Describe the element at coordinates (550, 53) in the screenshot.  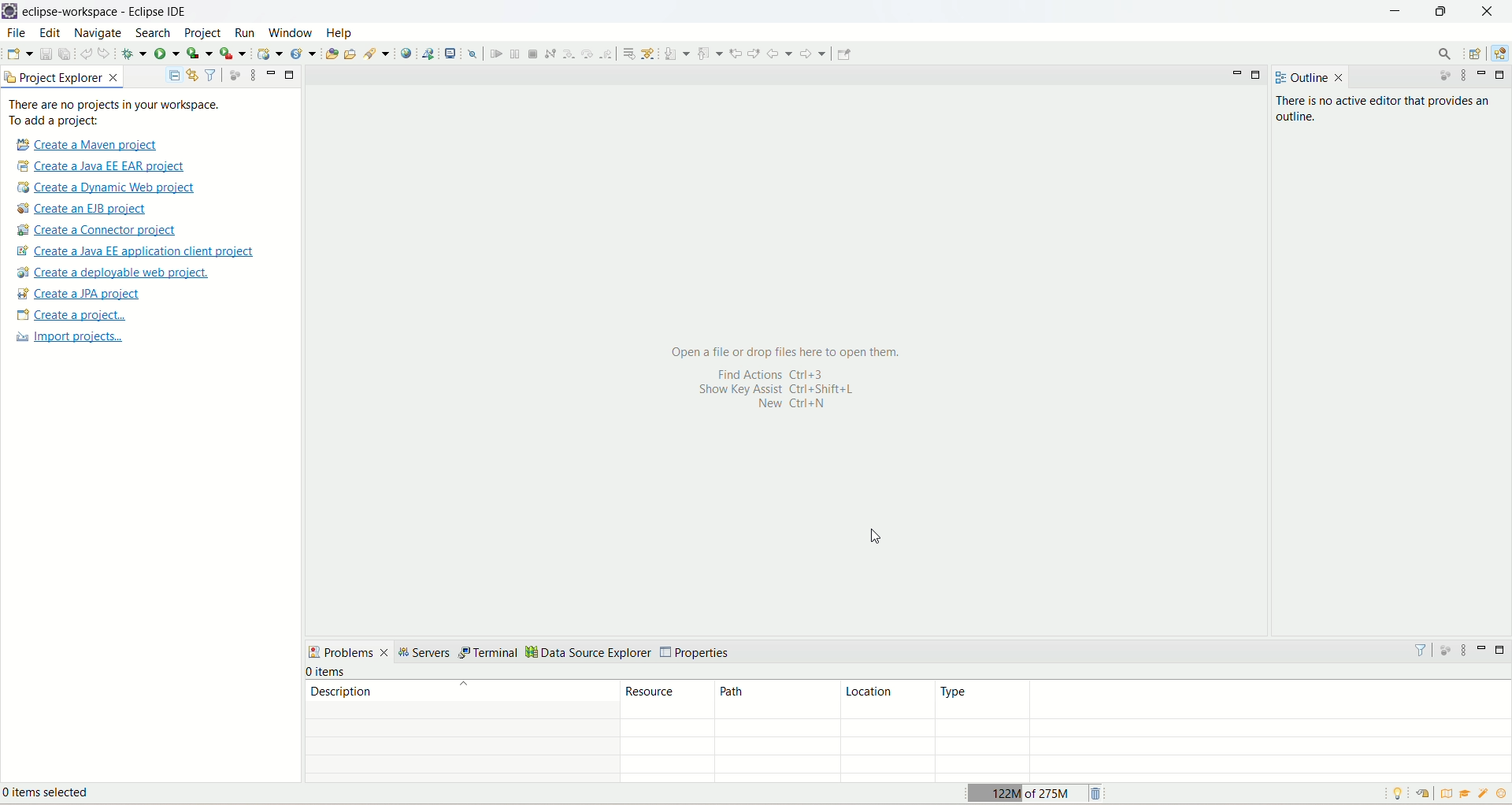
I see `disconnect` at that location.